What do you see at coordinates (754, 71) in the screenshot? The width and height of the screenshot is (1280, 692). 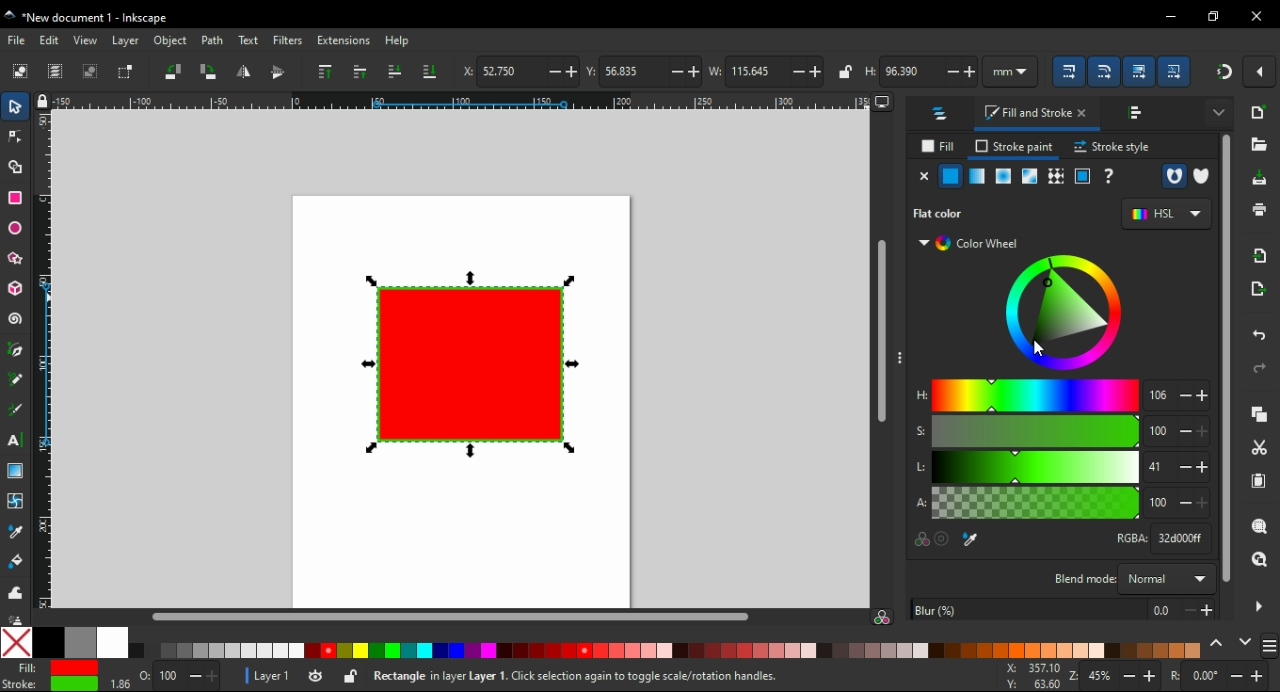 I see `115` at bounding box center [754, 71].